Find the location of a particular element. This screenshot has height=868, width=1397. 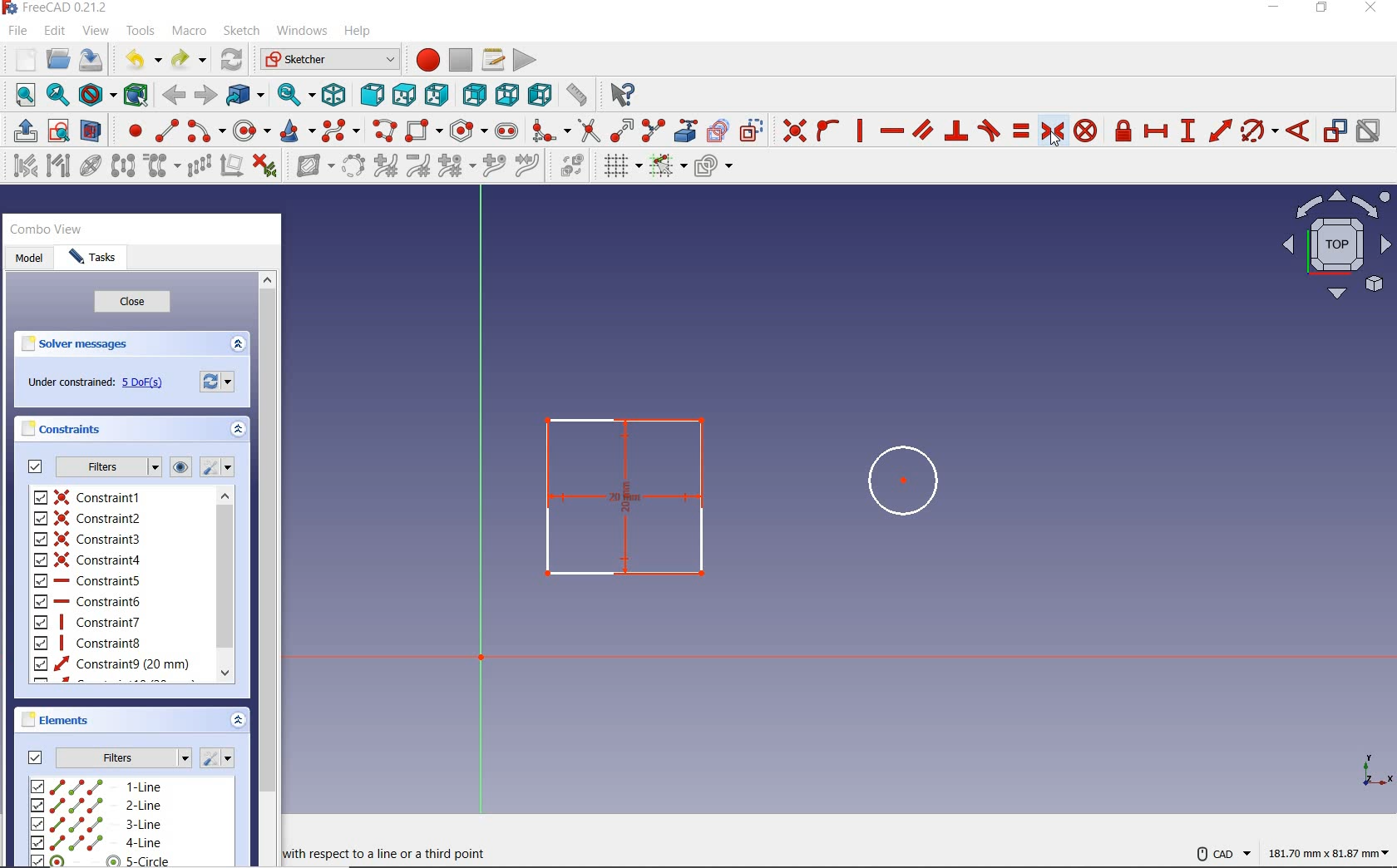

Sketcher is located at coordinates (329, 60).